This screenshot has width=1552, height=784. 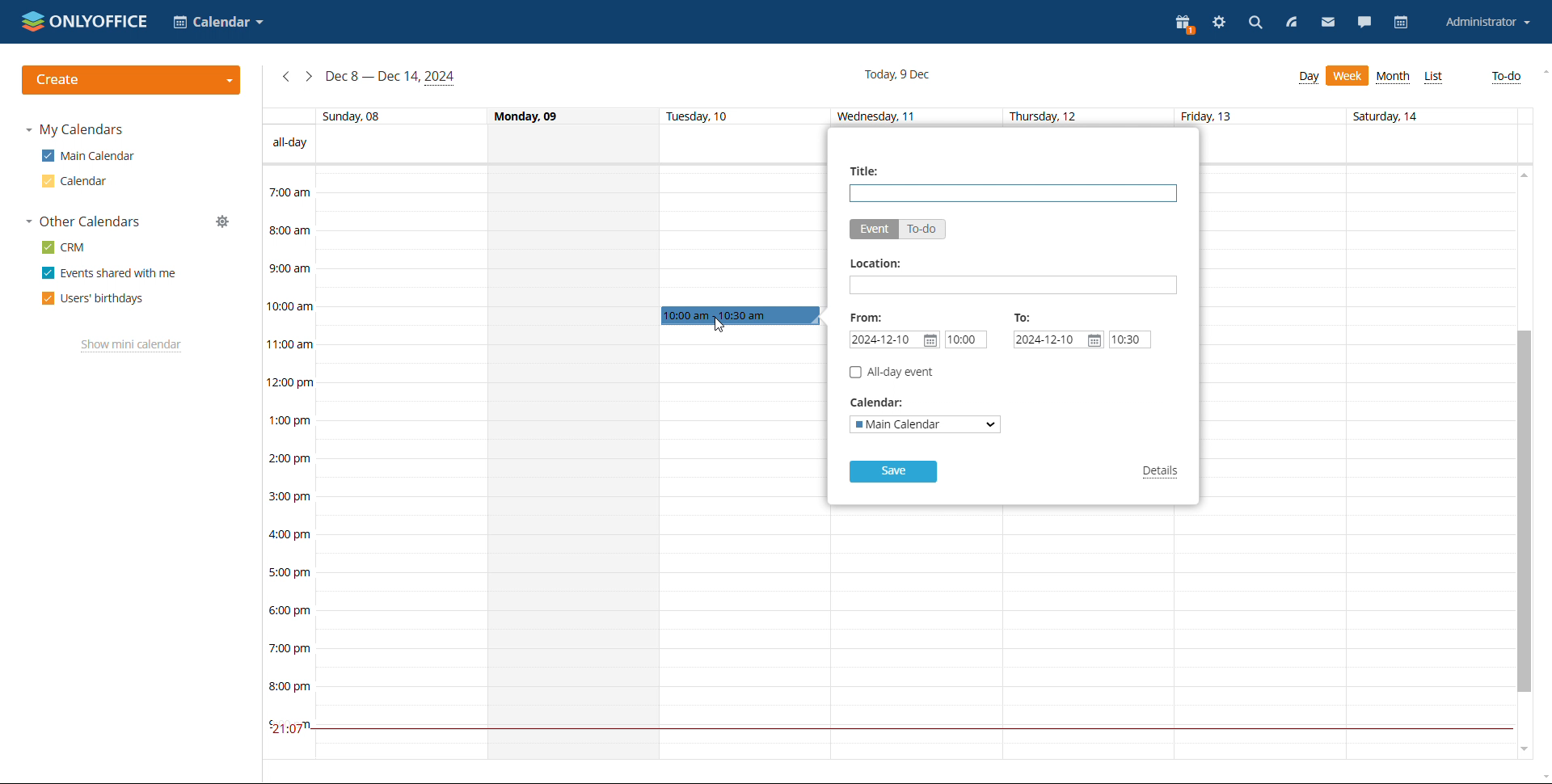 What do you see at coordinates (922, 229) in the screenshot?
I see `to-do` at bounding box center [922, 229].